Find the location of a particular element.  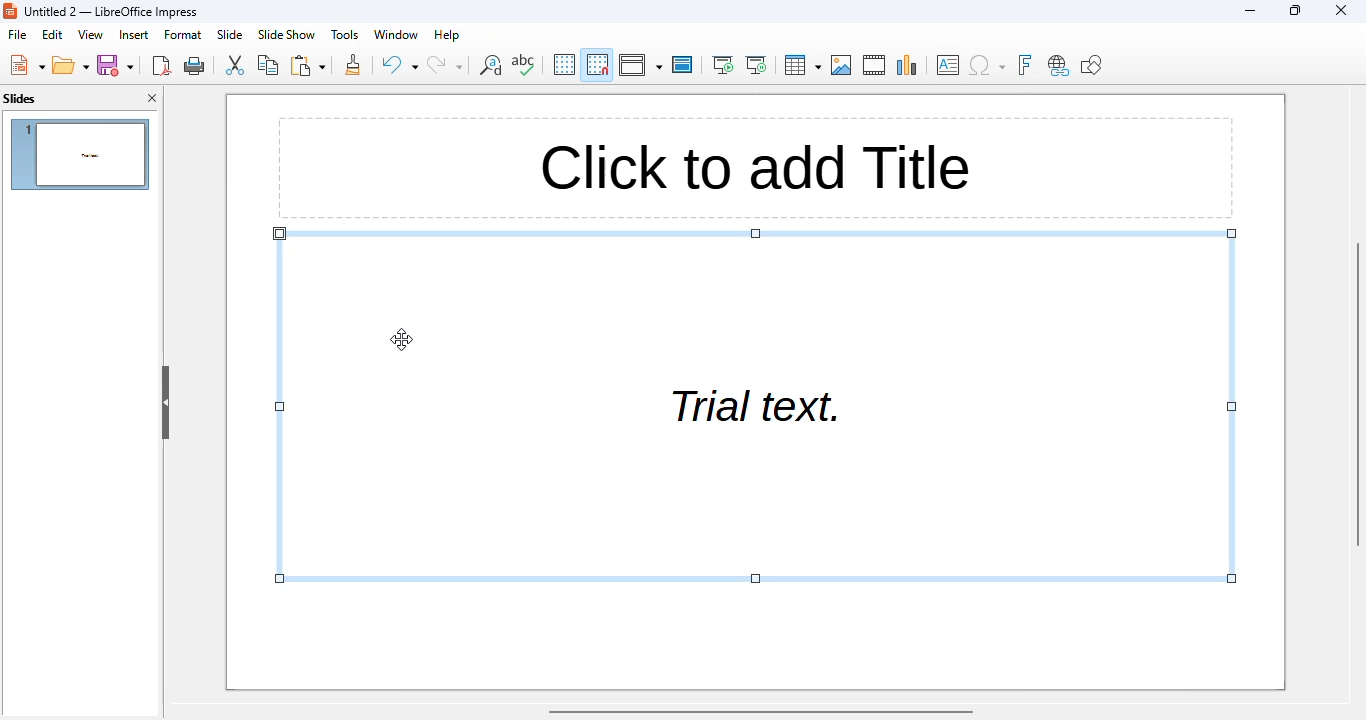

display grid is located at coordinates (563, 65).